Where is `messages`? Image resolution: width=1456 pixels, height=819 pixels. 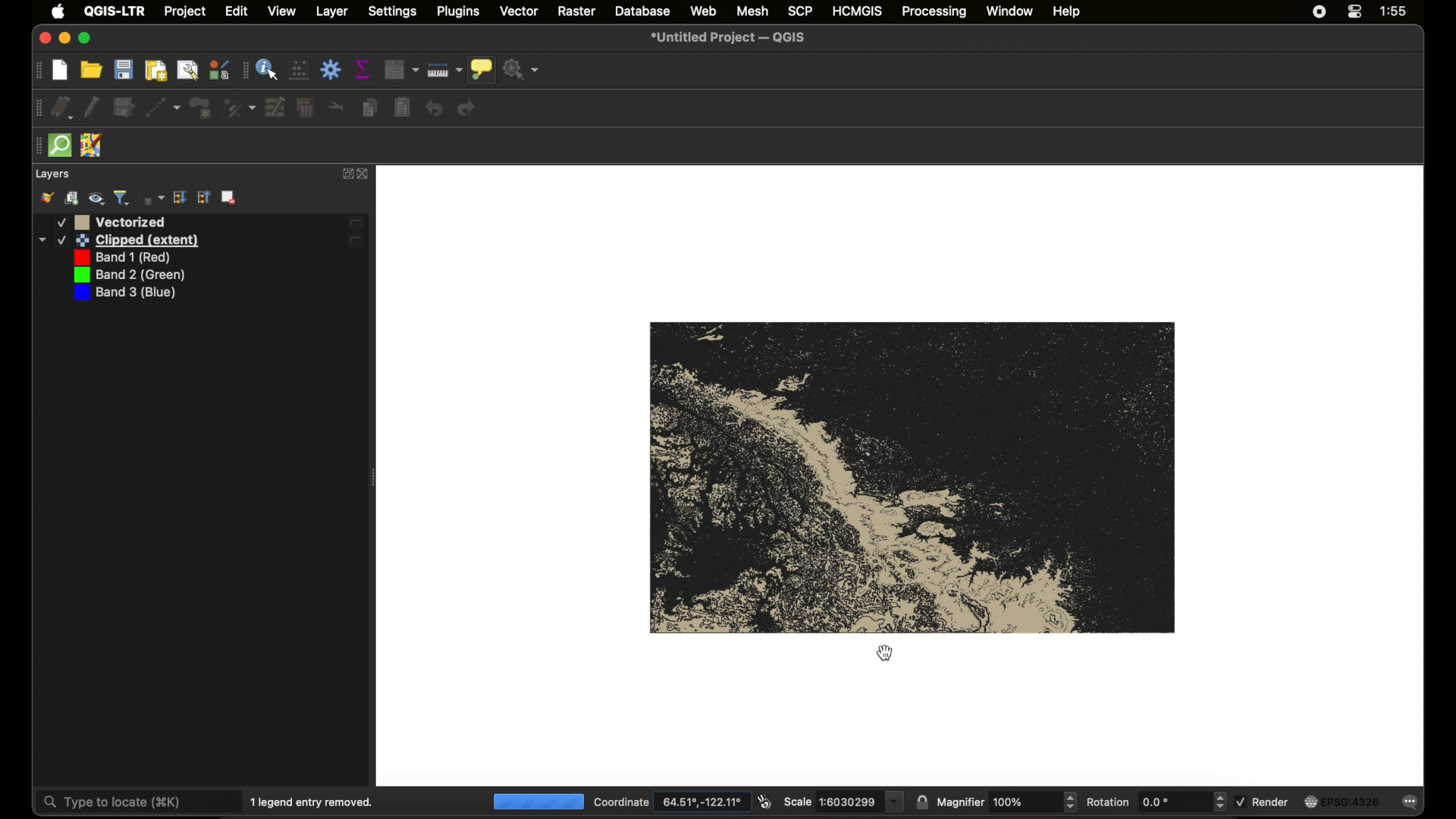
messages is located at coordinates (1410, 802).